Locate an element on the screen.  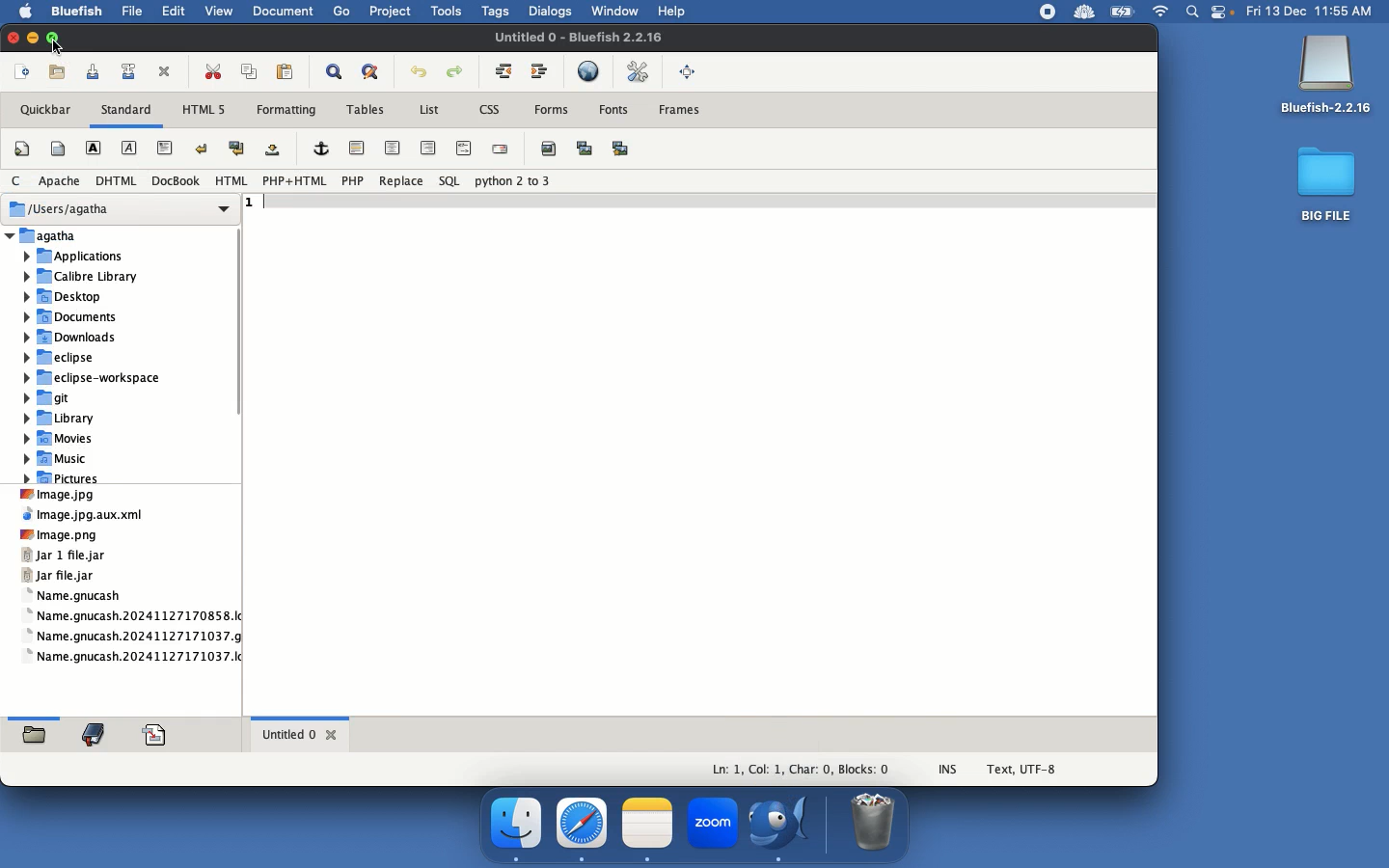
Advanced find and replaces is located at coordinates (372, 70).